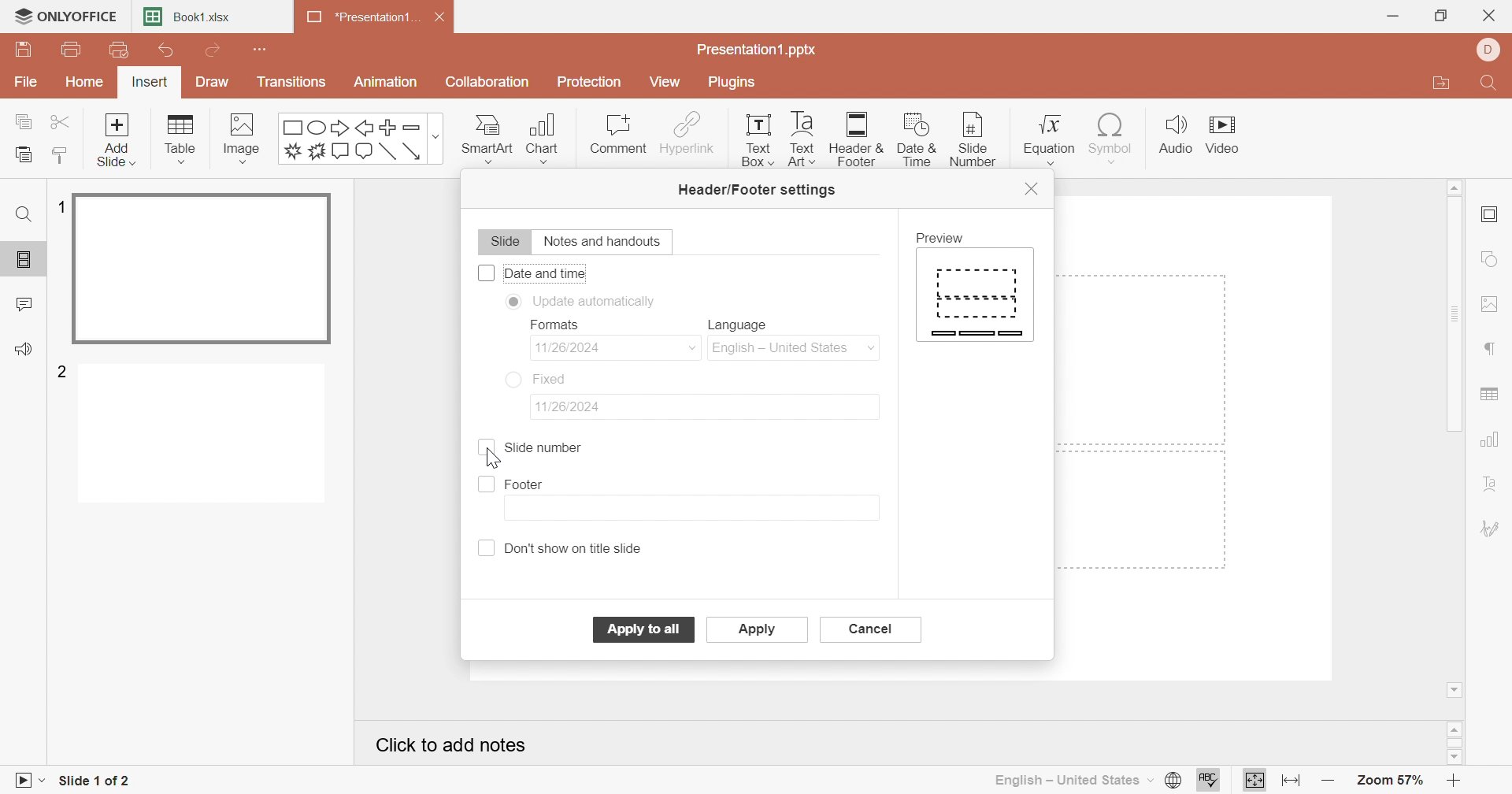 The image size is (1512, 794). What do you see at coordinates (72, 51) in the screenshot?
I see `Print` at bounding box center [72, 51].